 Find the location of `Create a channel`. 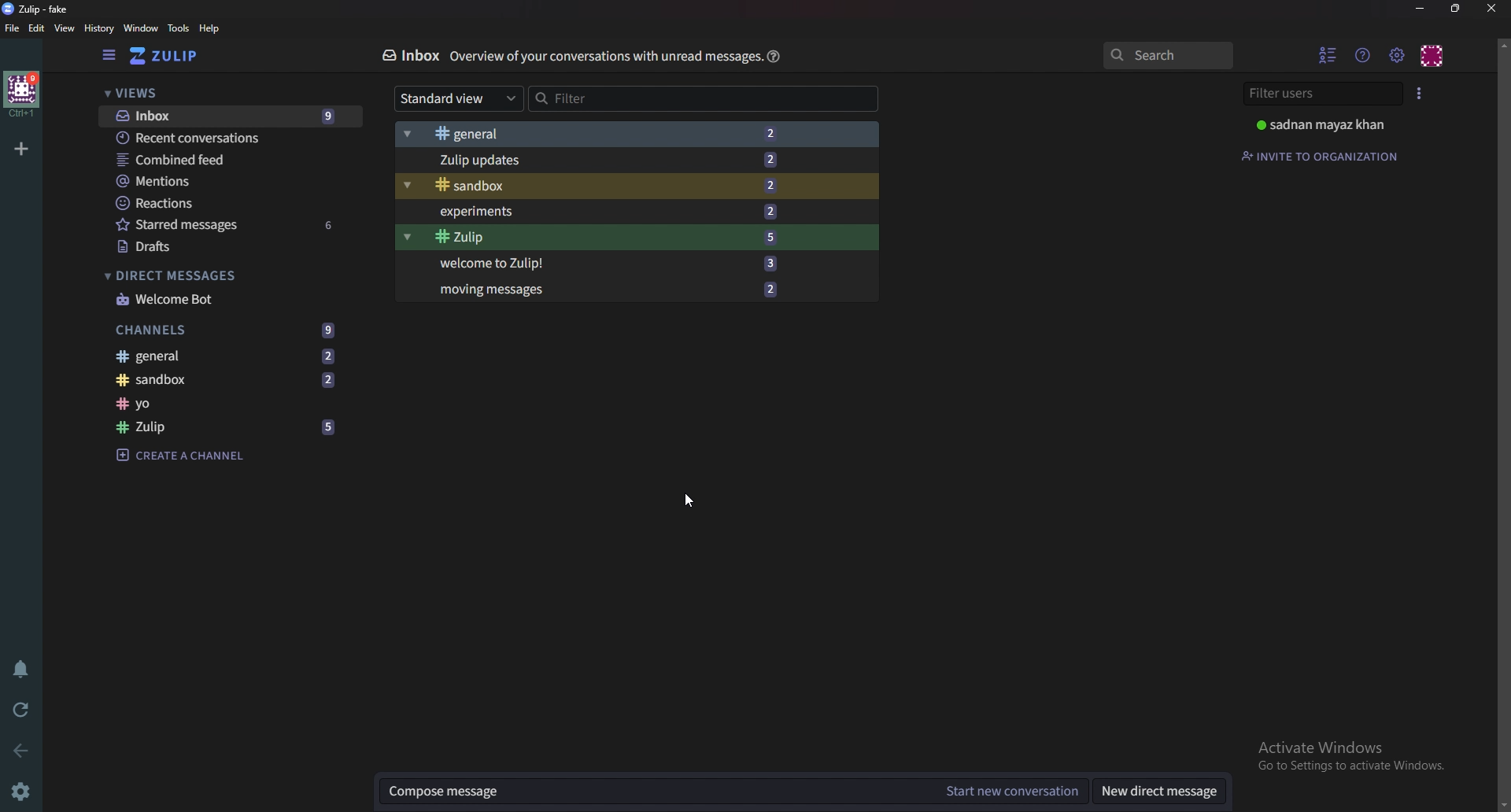

Create a channel is located at coordinates (209, 454).